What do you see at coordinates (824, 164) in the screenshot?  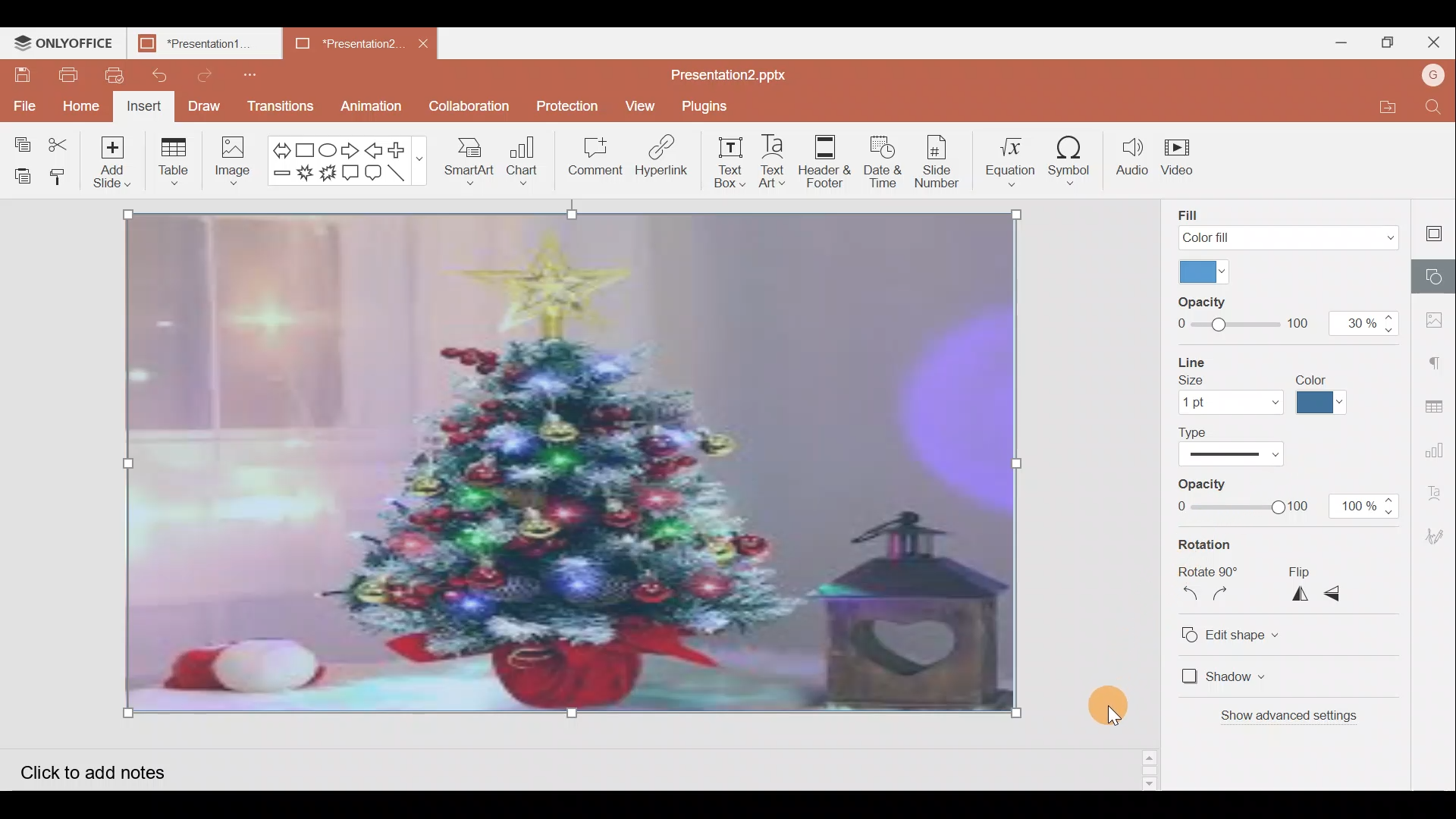 I see `Header & footer` at bounding box center [824, 164].